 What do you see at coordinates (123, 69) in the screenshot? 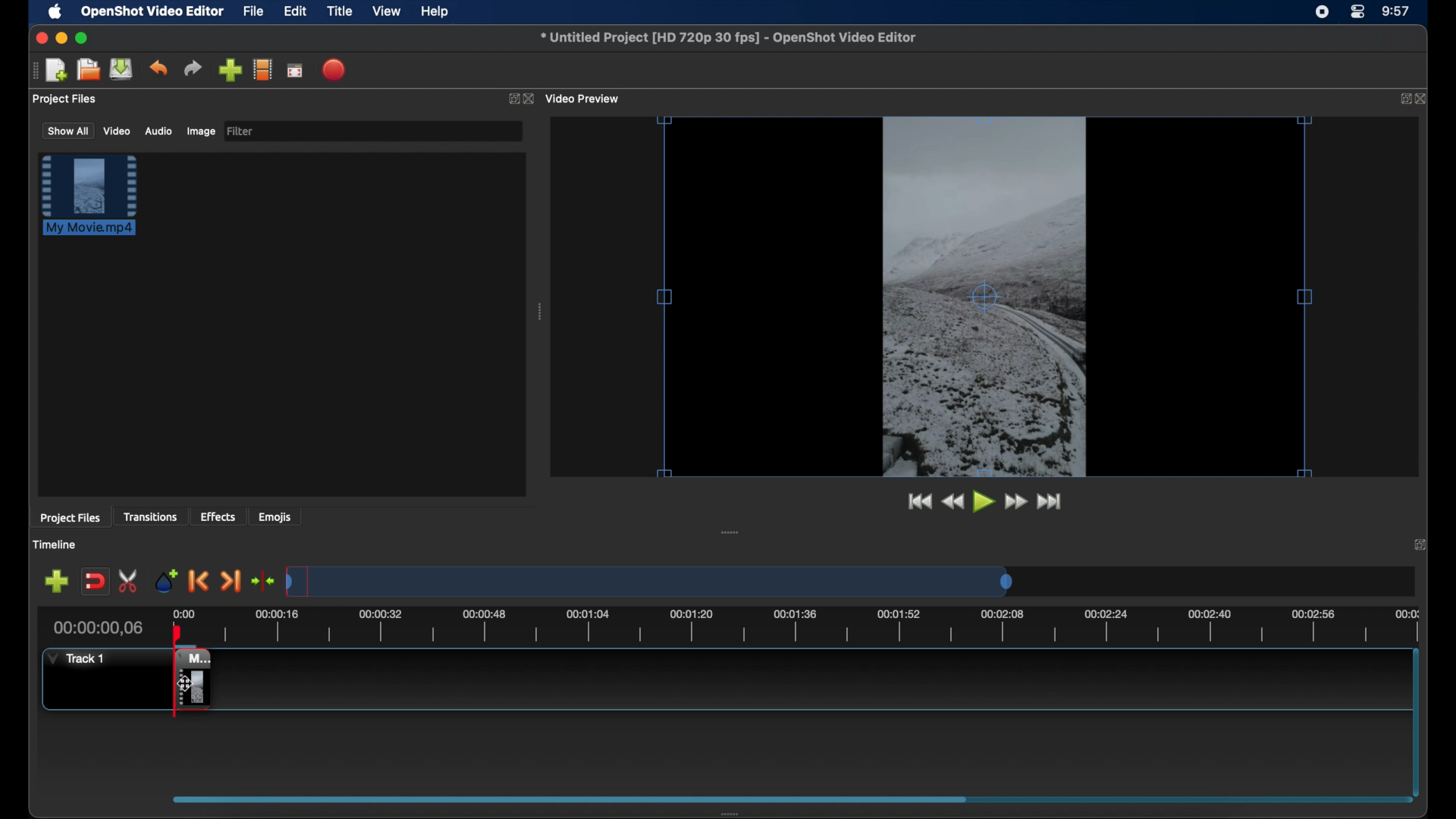
I see `save files` at bounding box center [123, 69].